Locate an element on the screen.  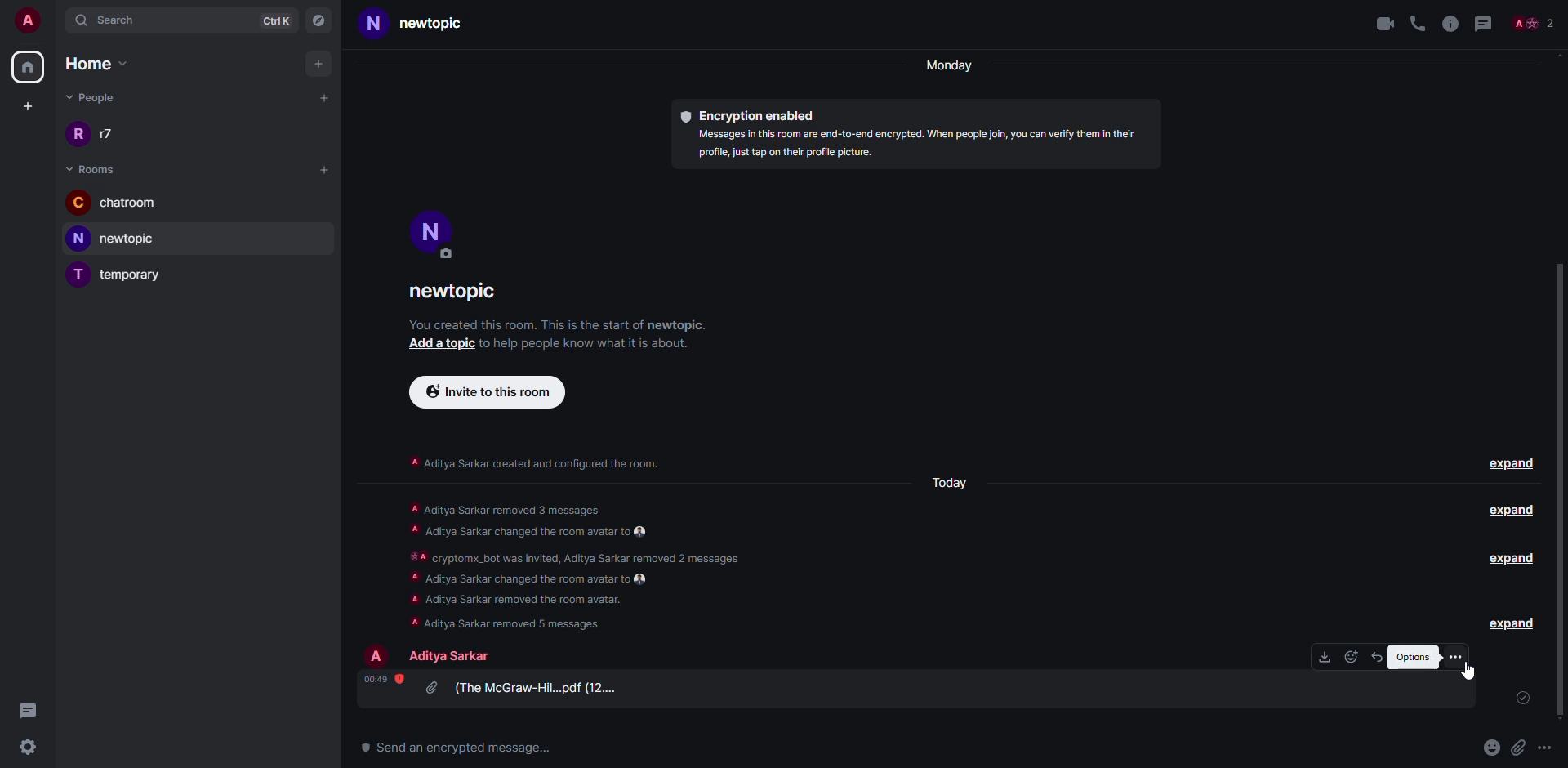
account is located at coordinates (28, 20).